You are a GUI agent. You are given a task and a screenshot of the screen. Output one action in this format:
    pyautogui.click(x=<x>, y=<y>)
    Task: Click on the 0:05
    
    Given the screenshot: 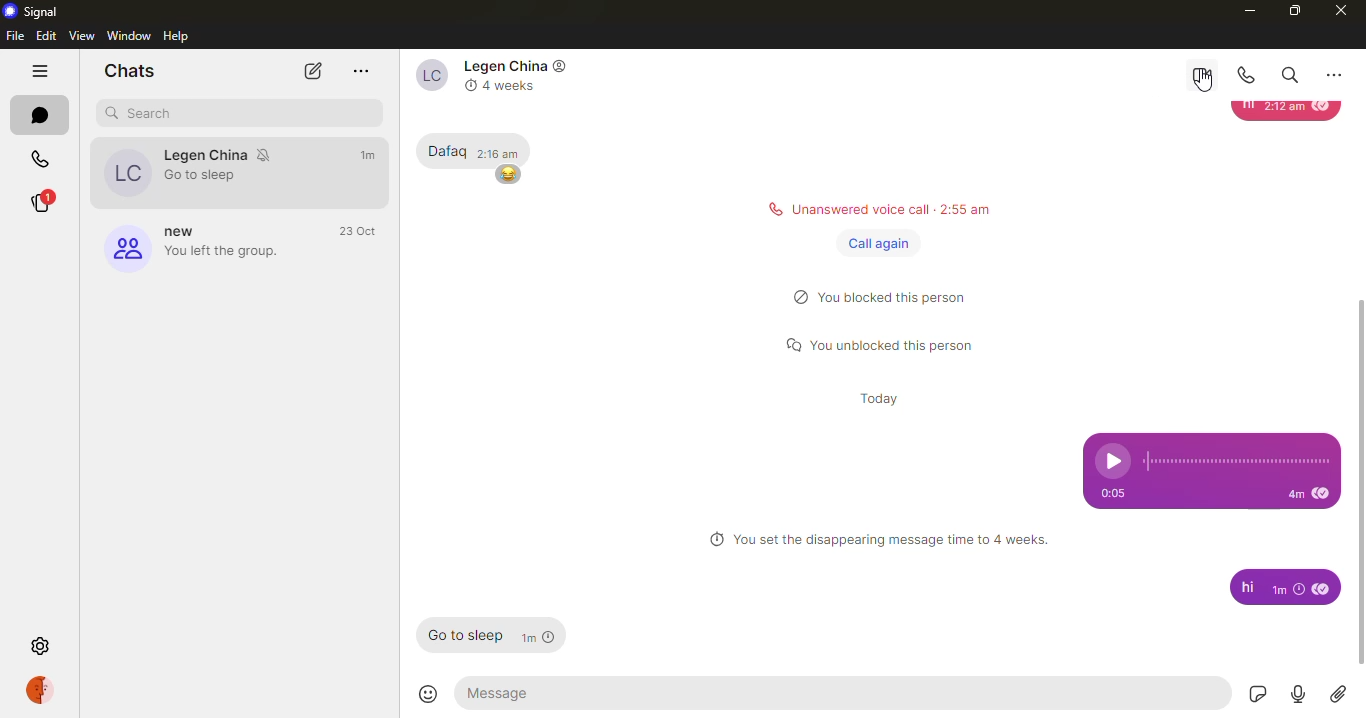 What is the action you would take?
    pyautogui.click(x=1110, y=495)
    